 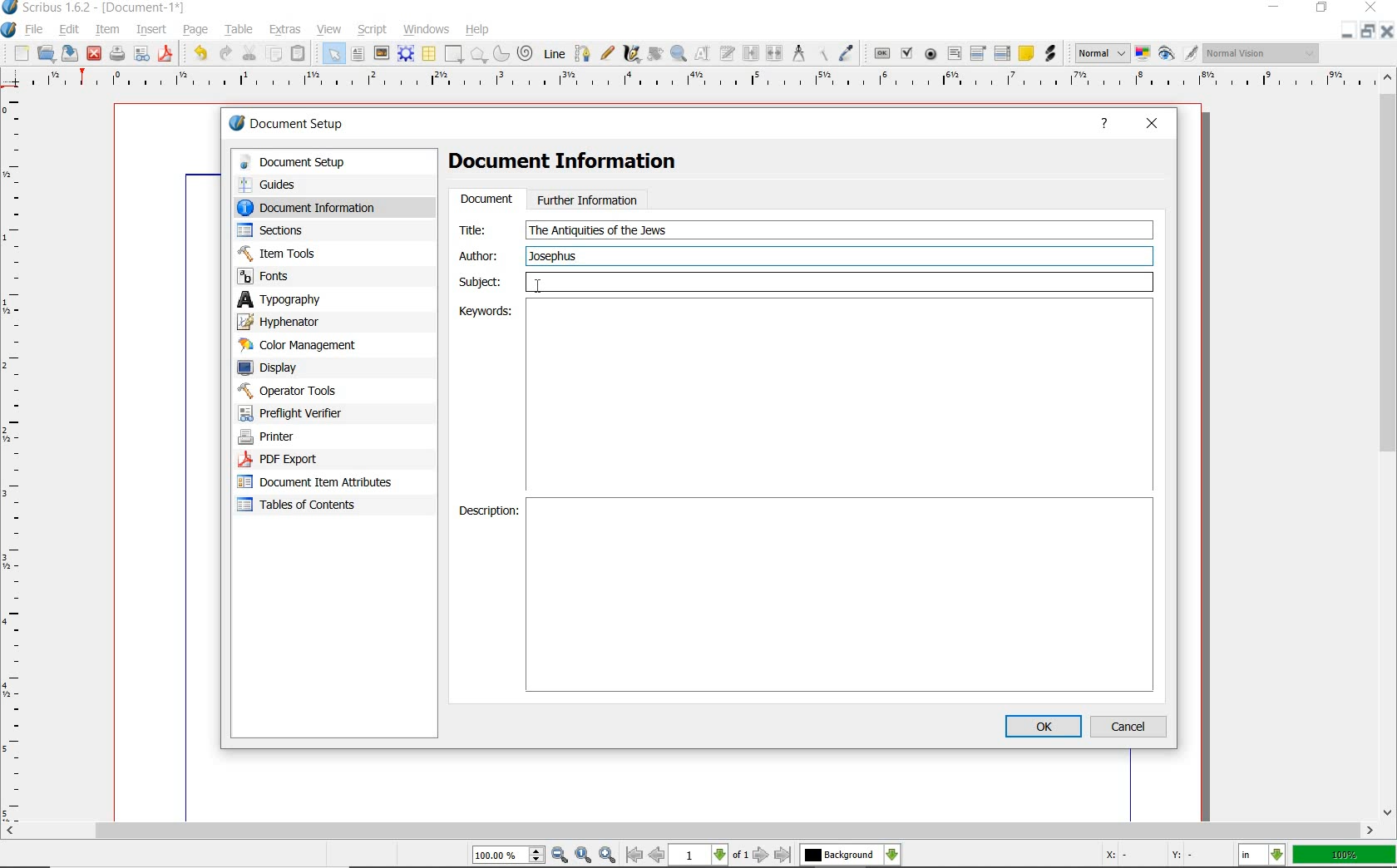 I want to click on document, so click(x=486, y=200).